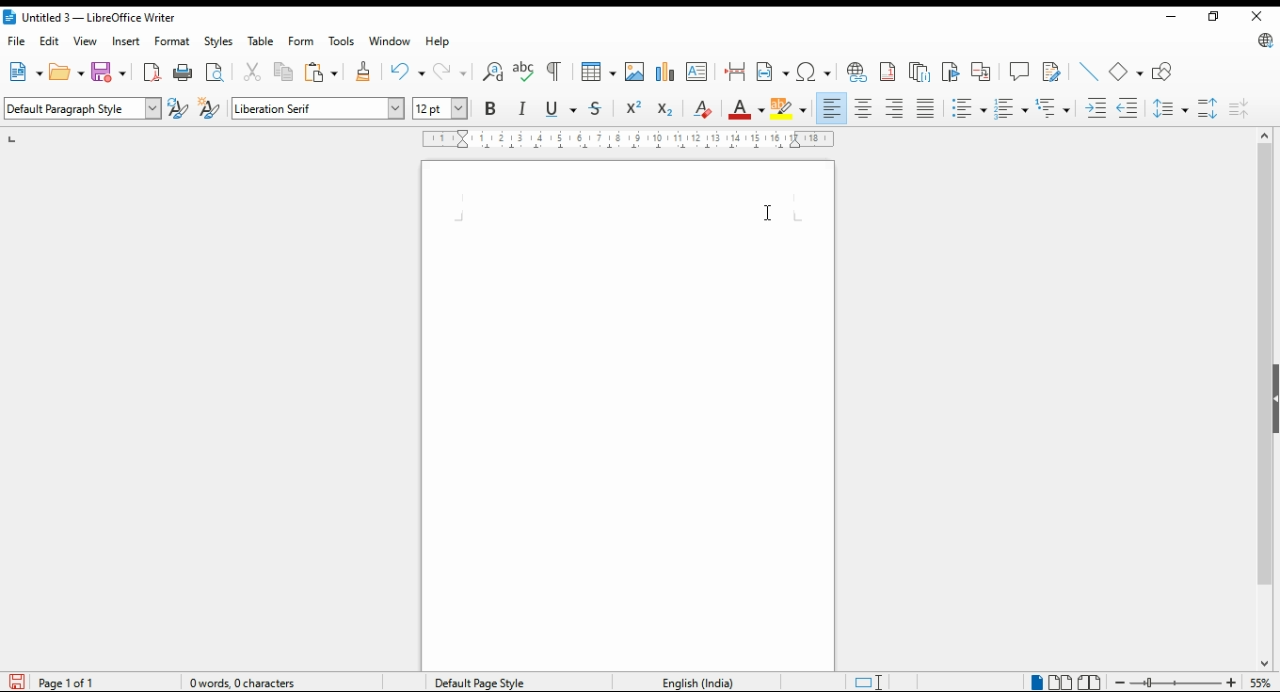 The image size is (1280, 692). I want to click on subscript, so click(665, 110).